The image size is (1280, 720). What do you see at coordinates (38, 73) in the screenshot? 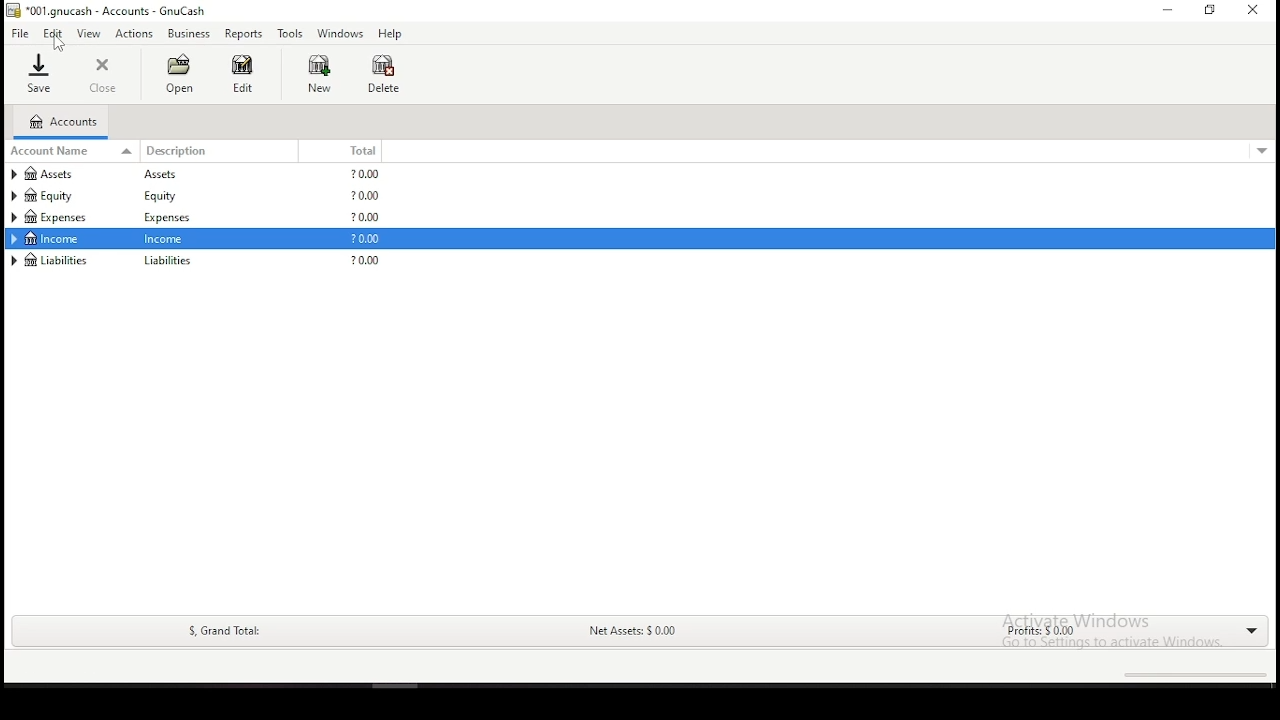
I see `save` at bounding box center [38, 73].